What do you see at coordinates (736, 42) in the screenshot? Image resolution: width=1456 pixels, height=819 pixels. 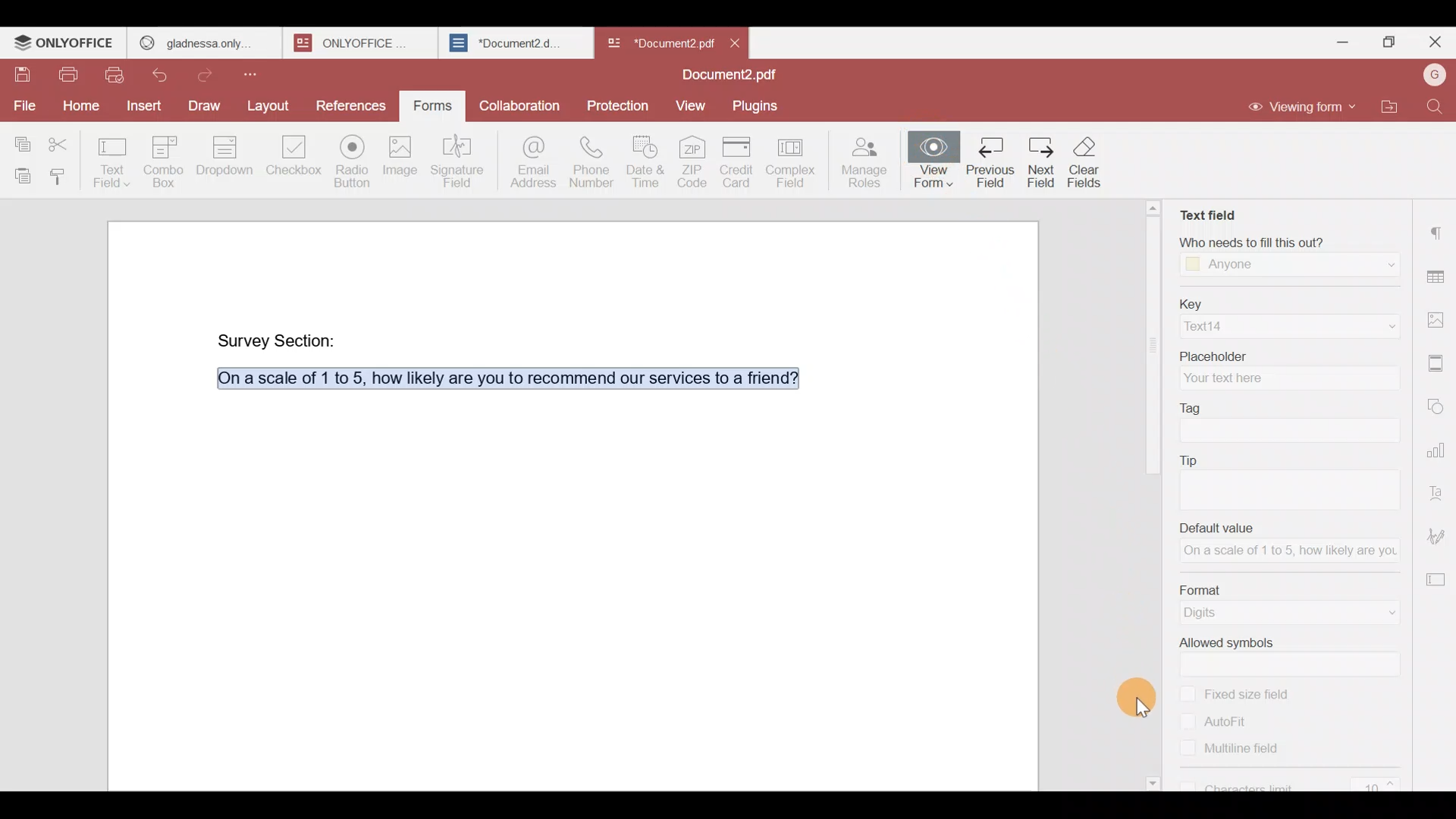 I see `Close` at bounding box center [736, 42].